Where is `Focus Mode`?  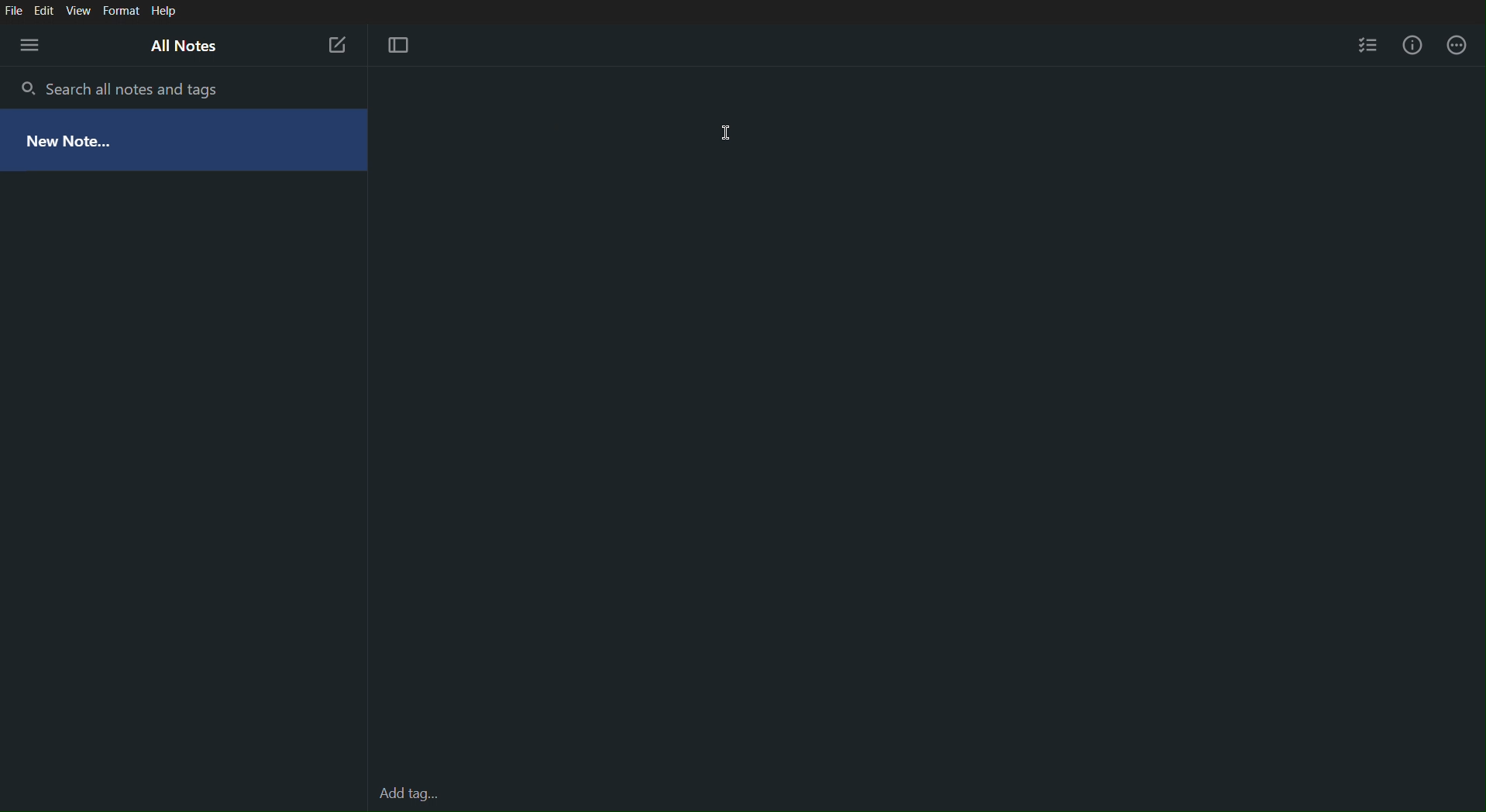 Focus Mode is located at coordinates (397, 46).